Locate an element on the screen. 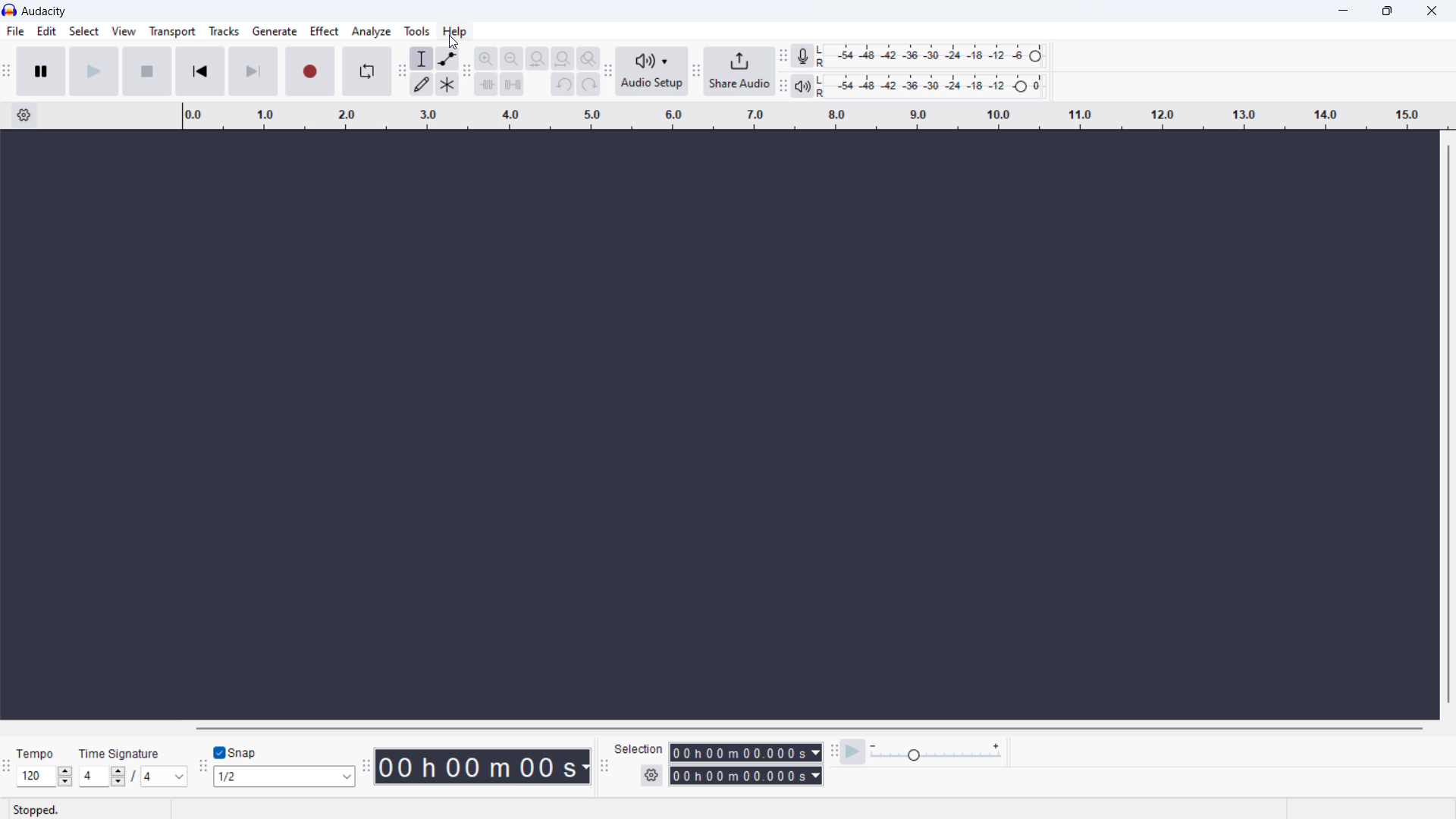 The height and width of the screenshot is (819, 1456). fit project to width is located at coordinates (563, 58).